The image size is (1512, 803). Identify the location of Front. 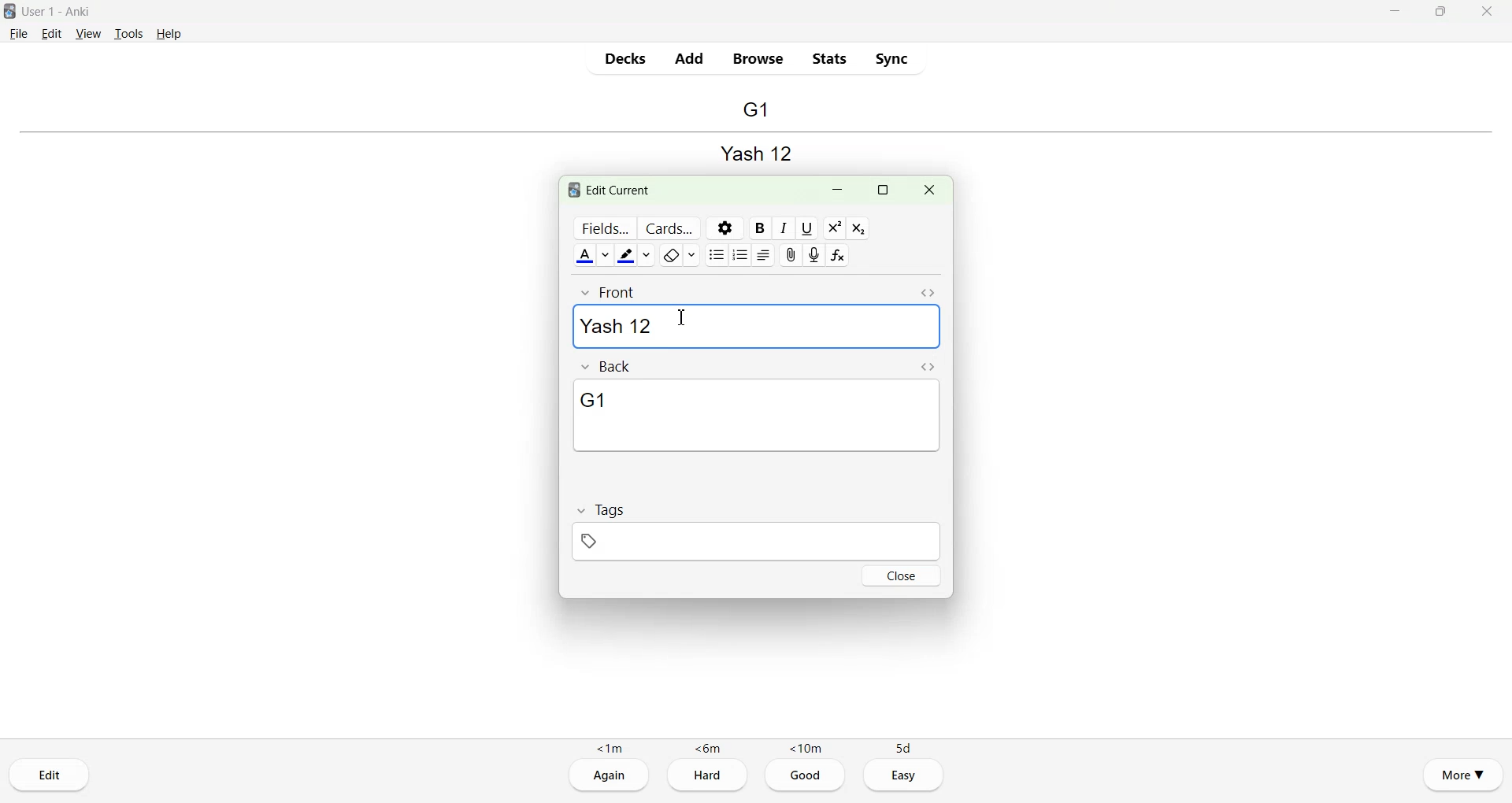
(610, 292).